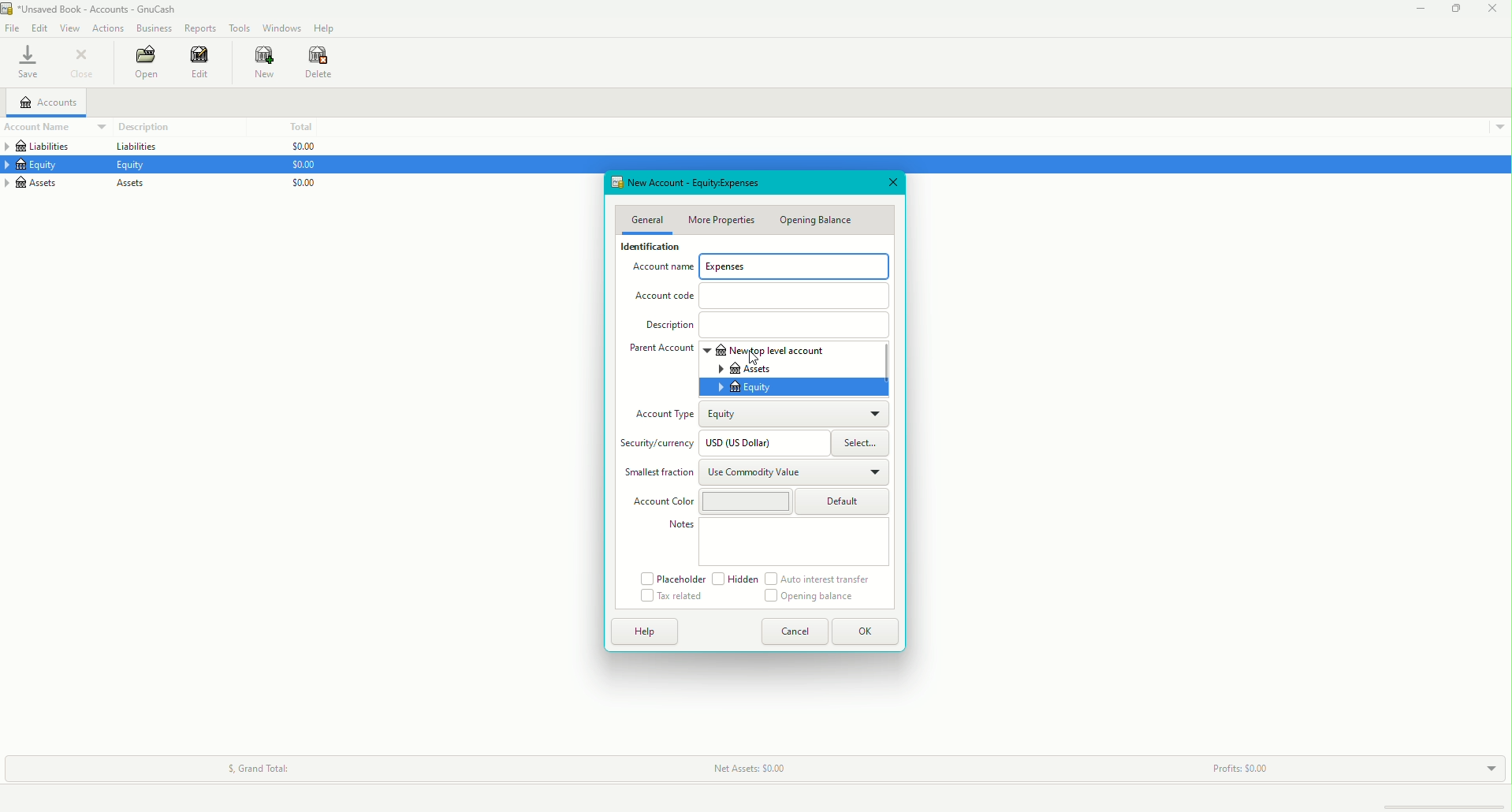 The image size is (1512, 812). What do you see at coordinates (40, 166) in the screenshot?
I see `Equity` at bounding box center [40, 166].